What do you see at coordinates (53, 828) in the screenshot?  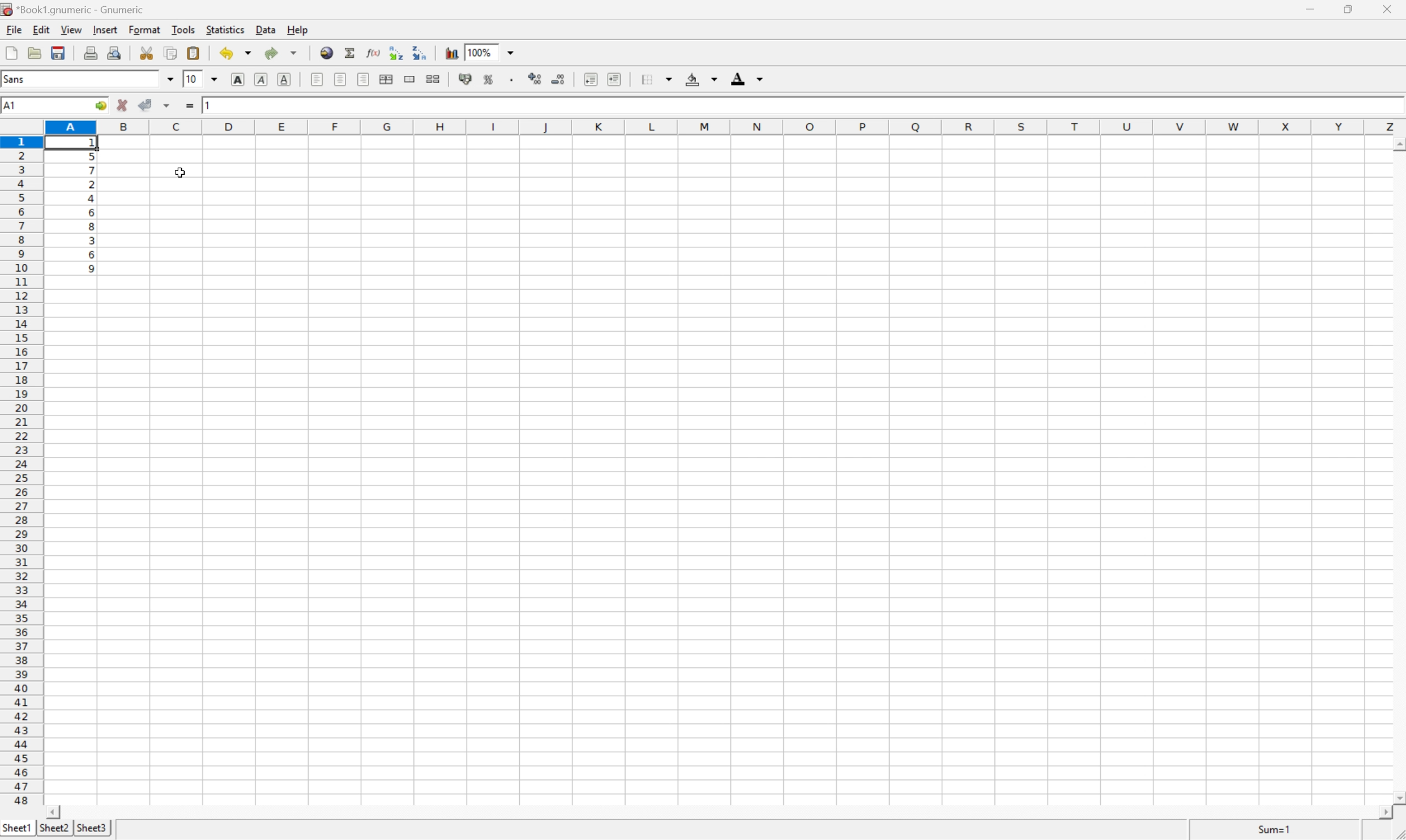 I see `sheet2` at bounding box center [53, 828].